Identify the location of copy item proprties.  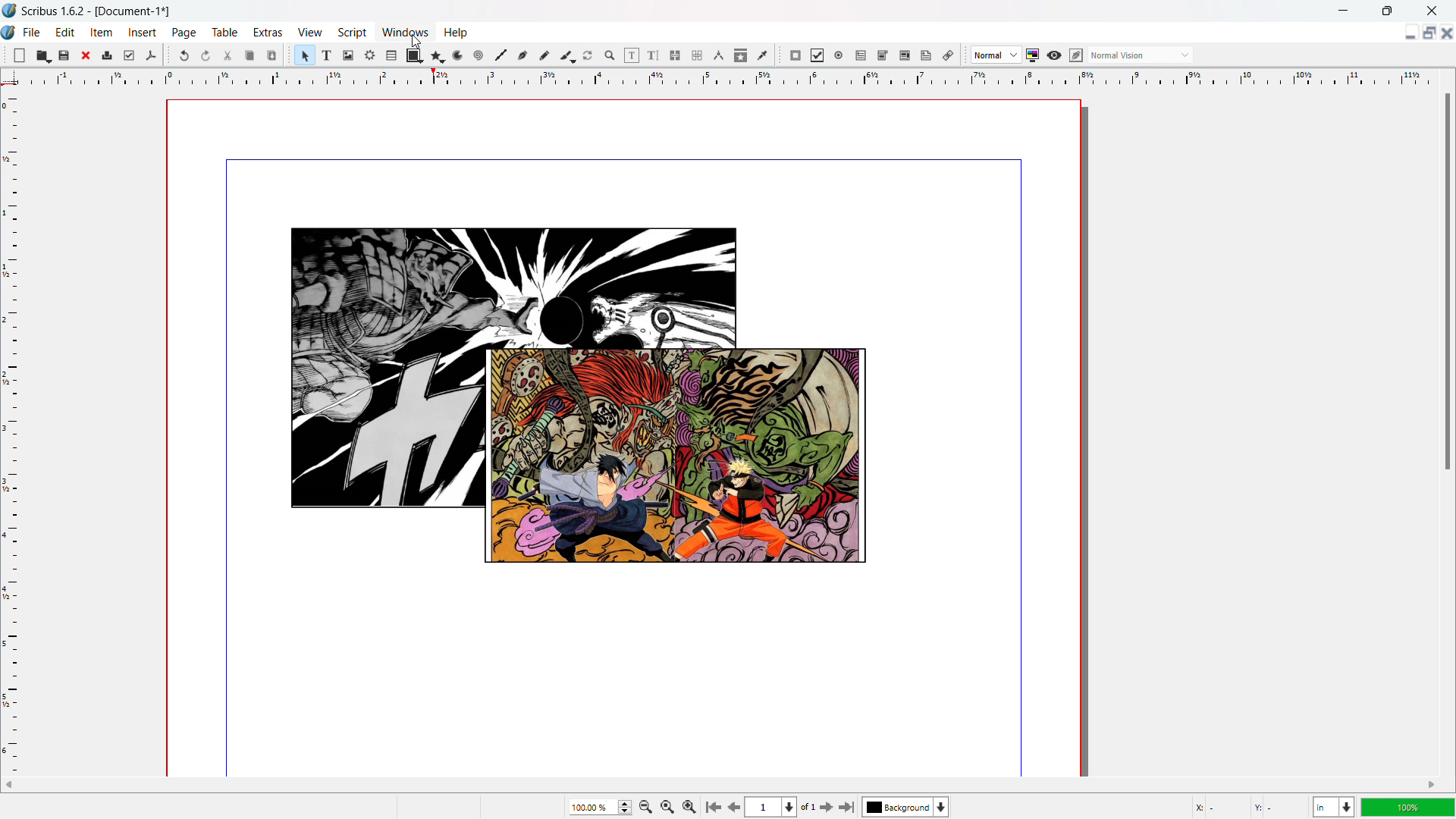
(741, 55).